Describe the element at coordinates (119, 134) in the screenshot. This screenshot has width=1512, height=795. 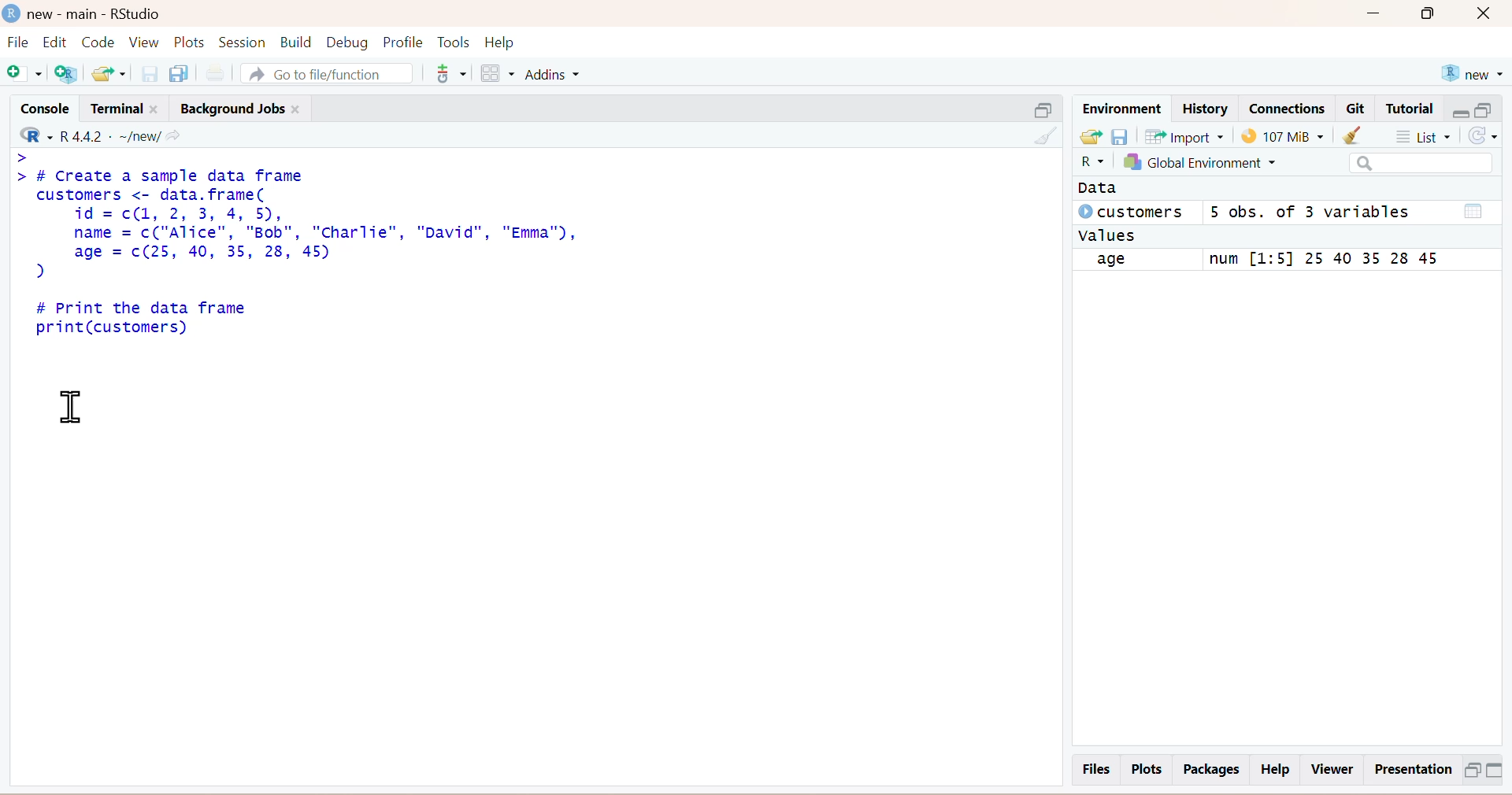
I see `- R442 - ~/new/` at that location.